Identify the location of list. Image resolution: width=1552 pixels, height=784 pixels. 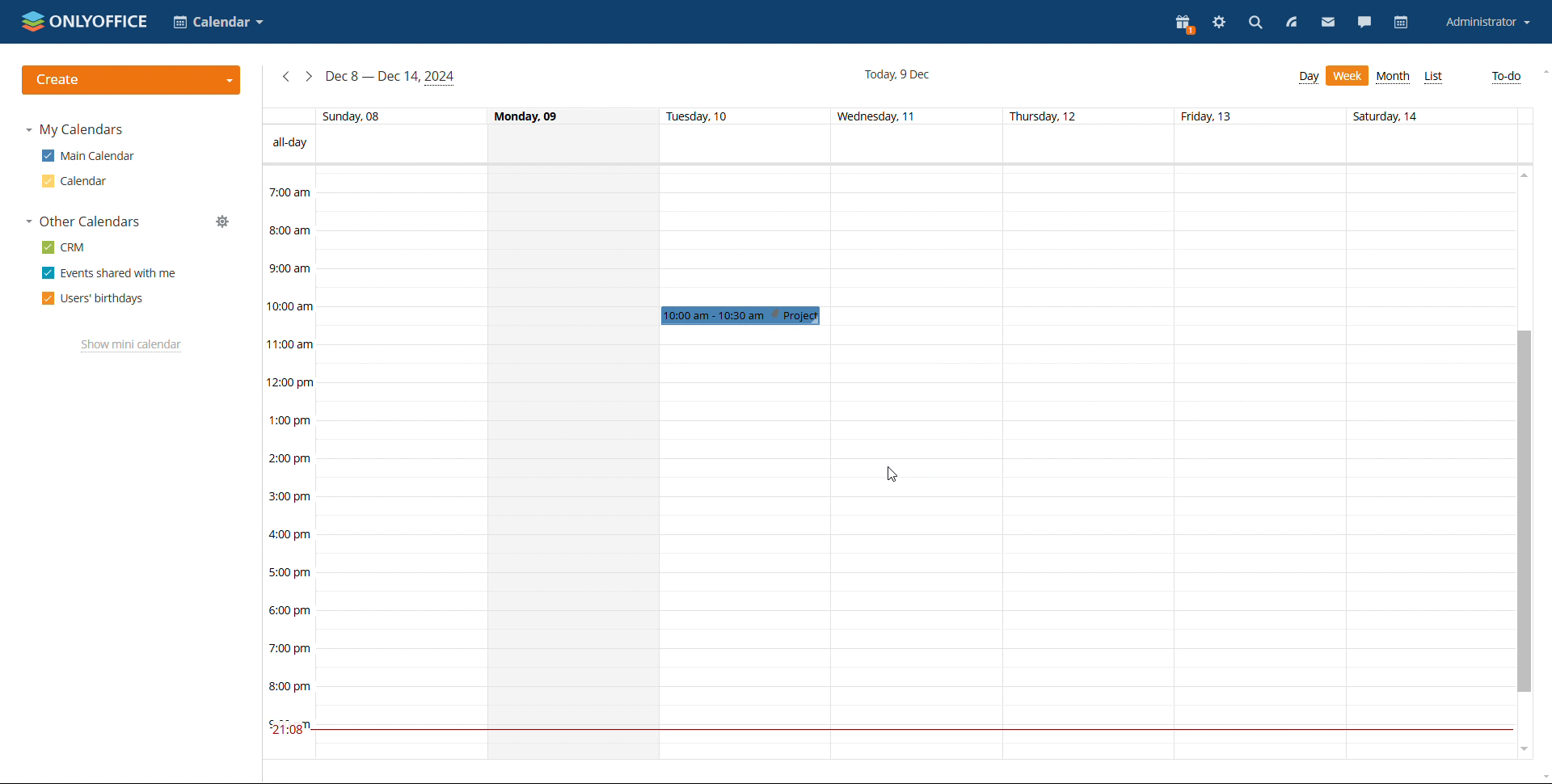
(1434, 77).